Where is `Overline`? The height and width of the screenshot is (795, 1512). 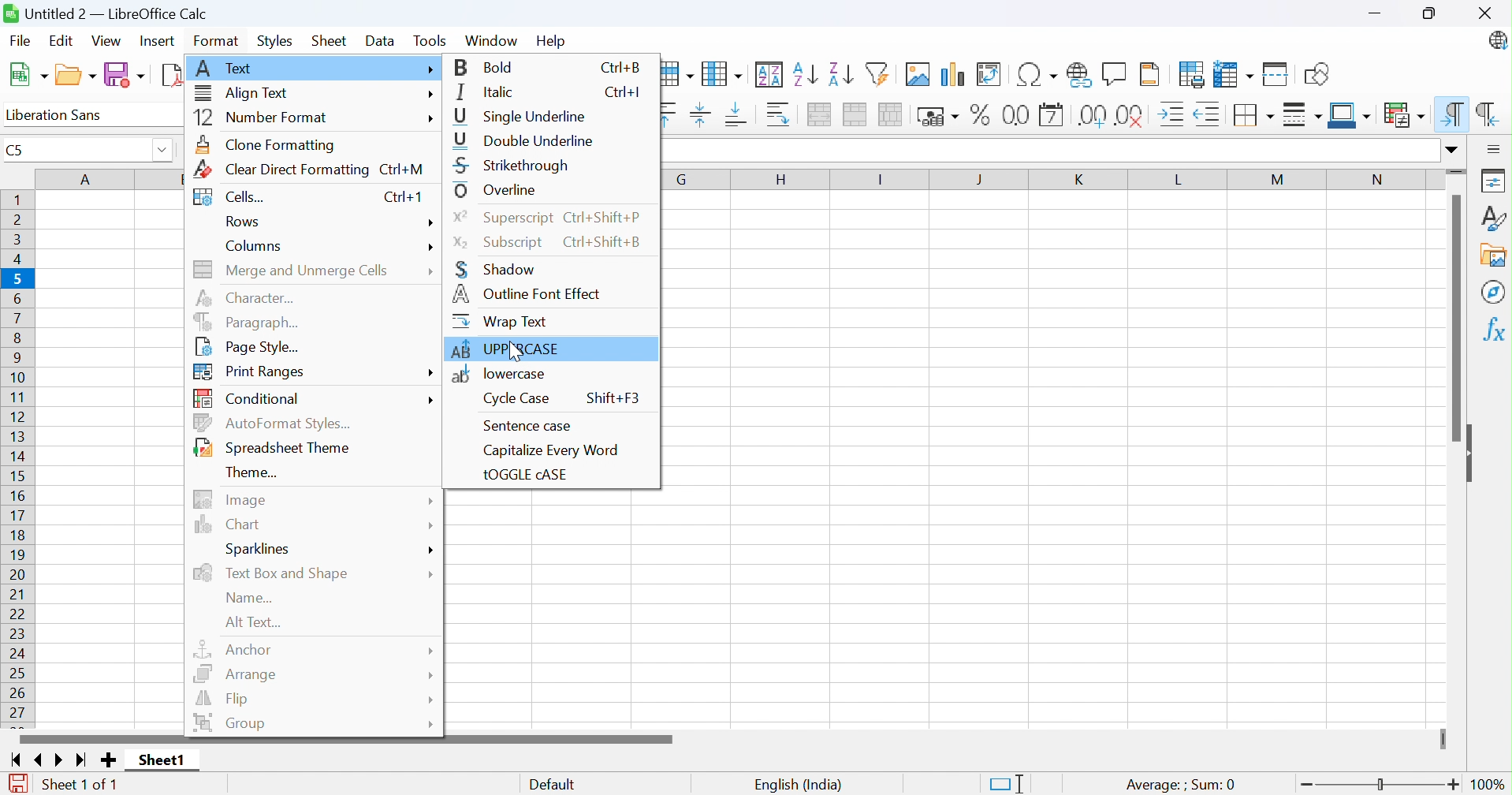
Overline is located at coordinates (498, 191).